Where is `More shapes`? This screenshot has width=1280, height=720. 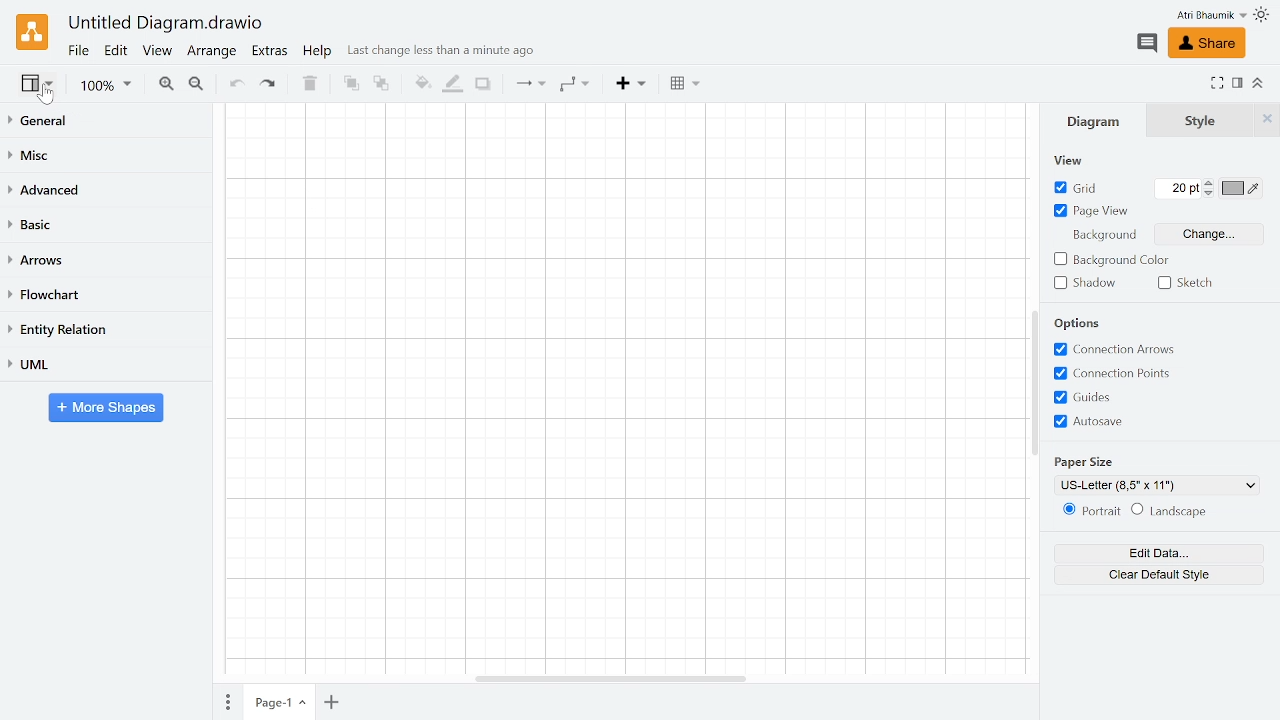
More shapes is located at coordinates (106, 408).